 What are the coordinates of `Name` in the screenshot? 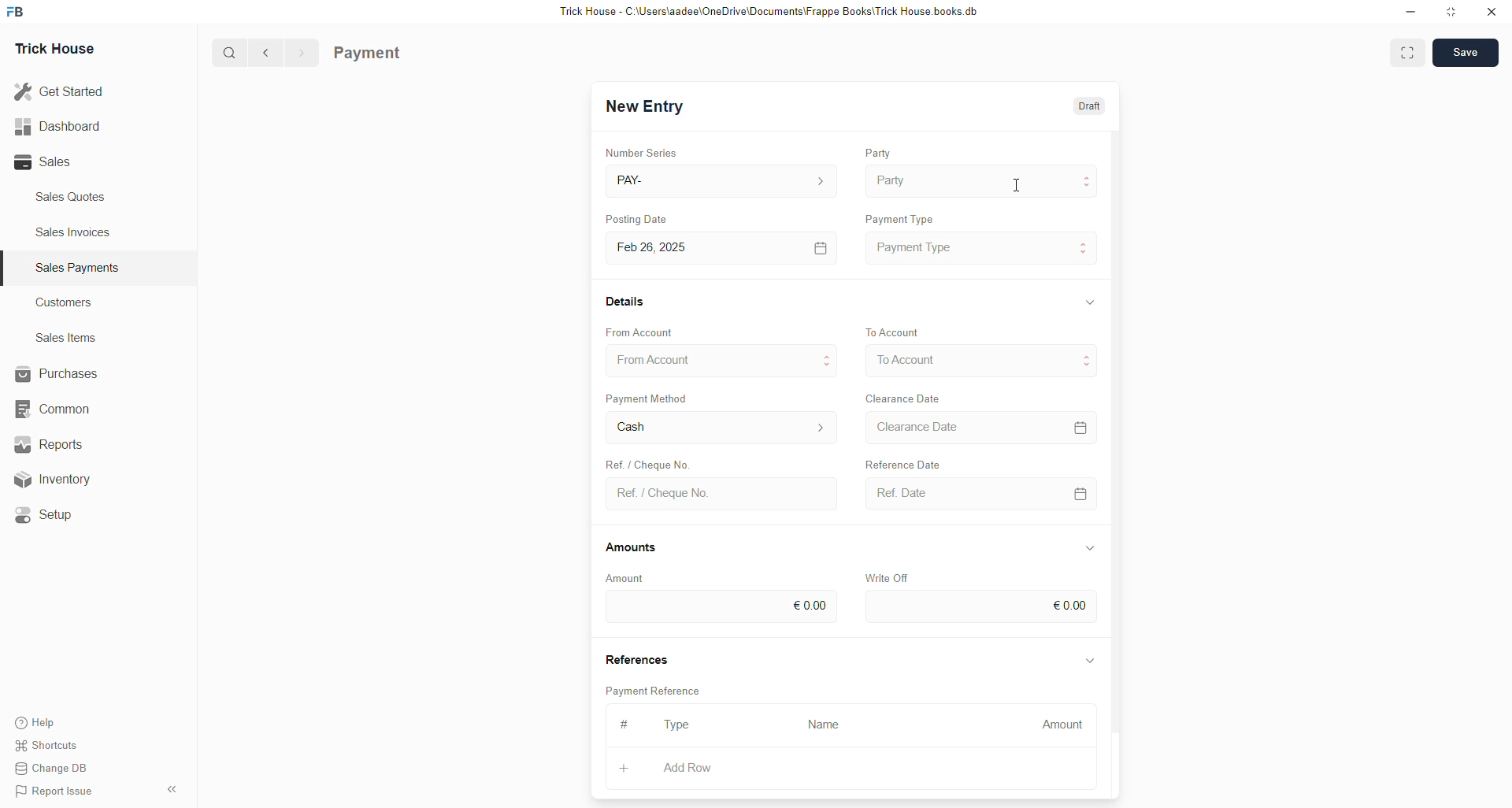 It's located at (828, 726).